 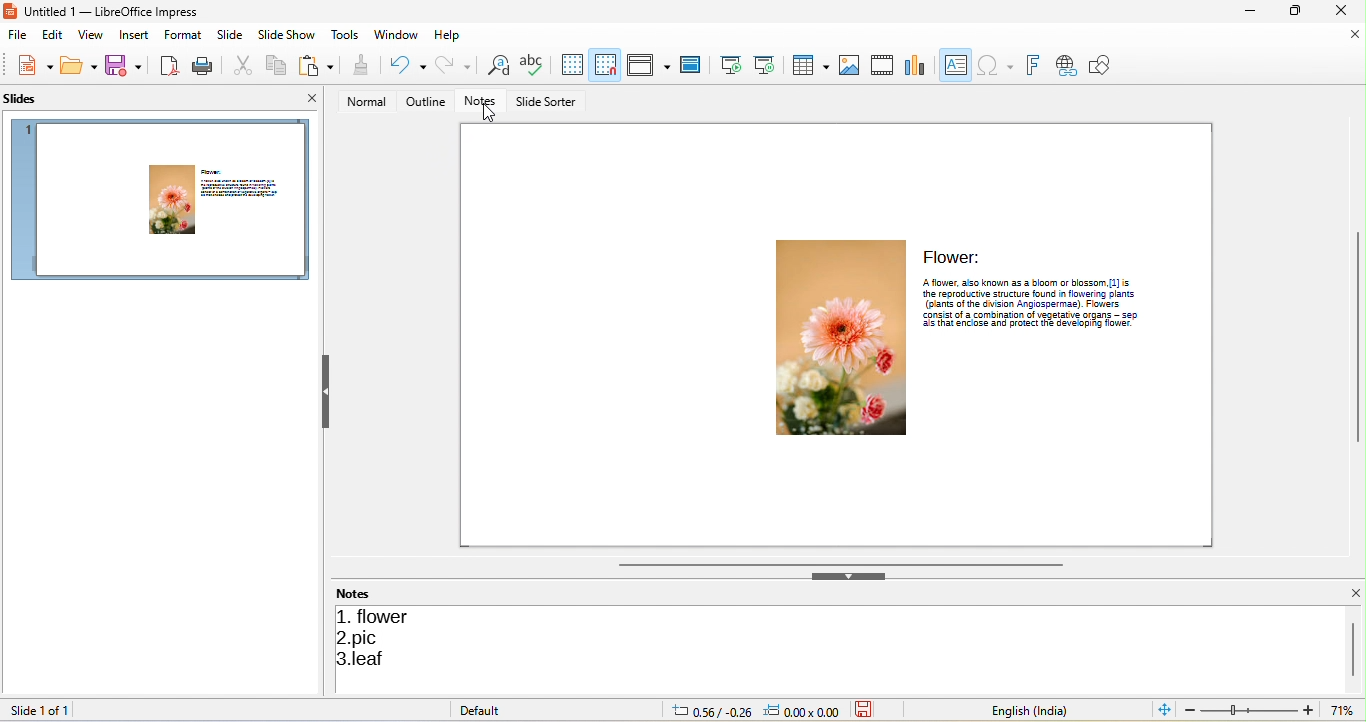 What do you see at coordinates (277, 65) in the screenshot?
I see `copy` at bounding box center [277, 65].